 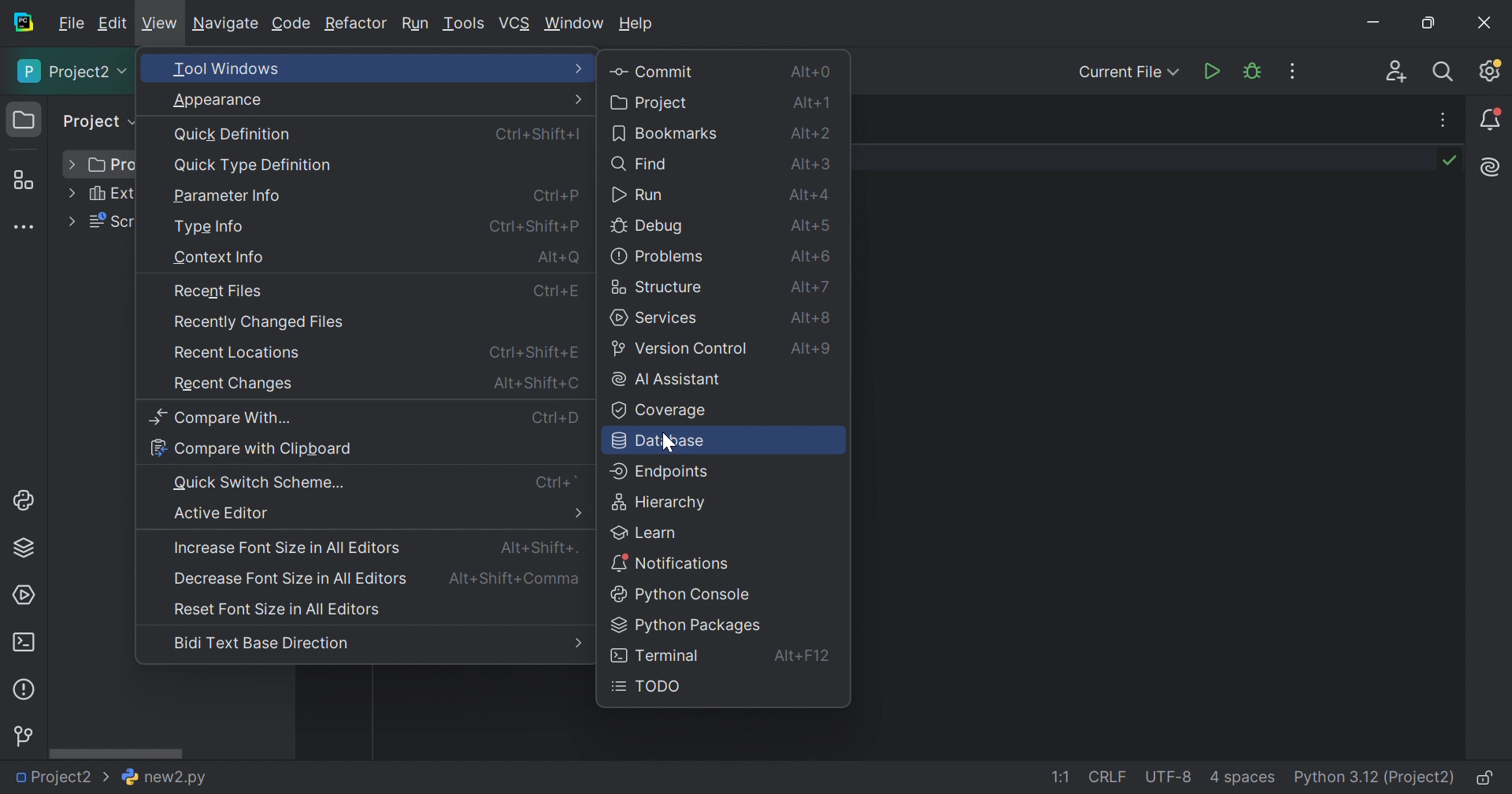 I want to click on Alt+8, so click(x=815, y=317).